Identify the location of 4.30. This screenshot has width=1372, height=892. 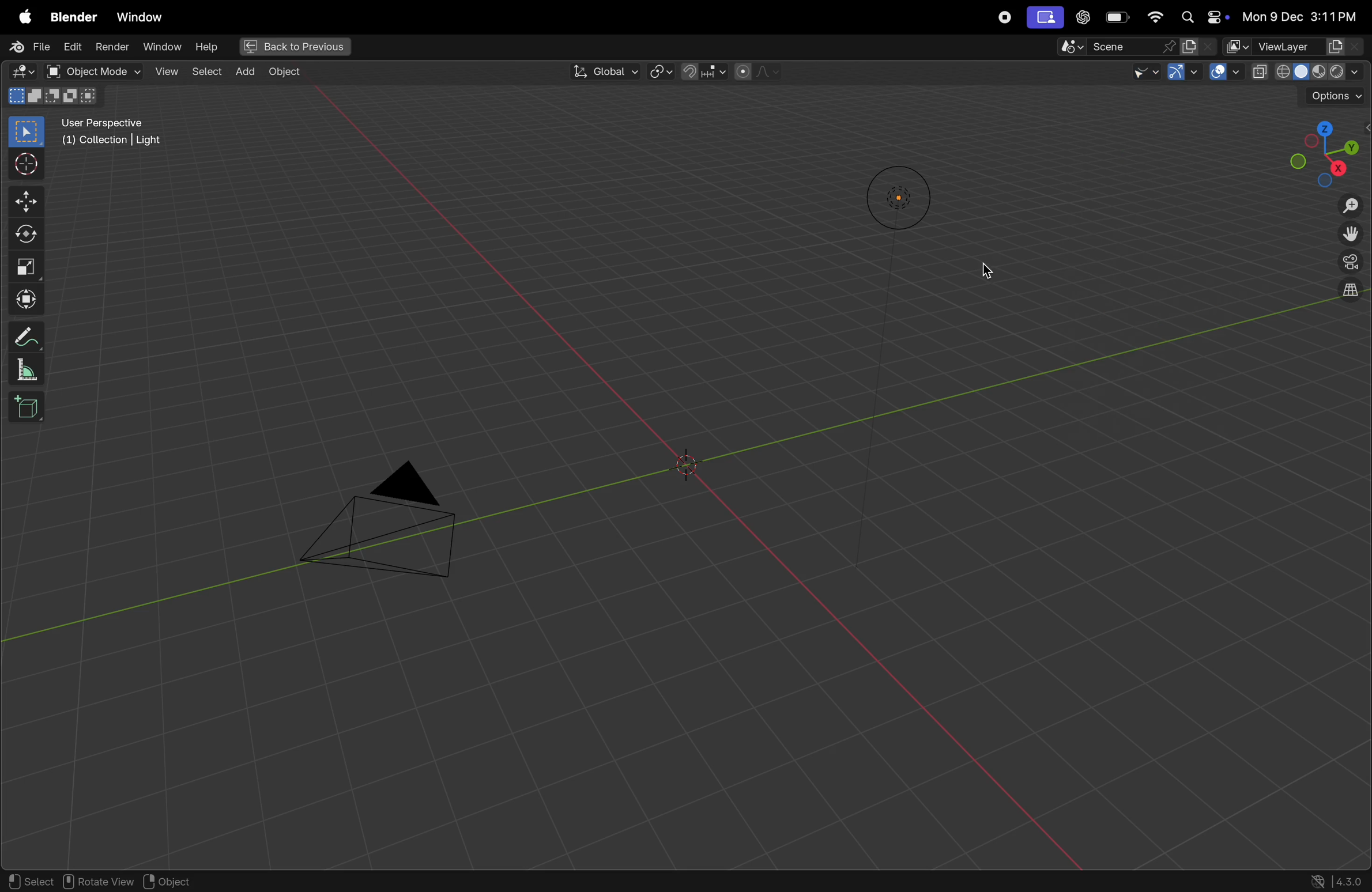
(1340, 879).